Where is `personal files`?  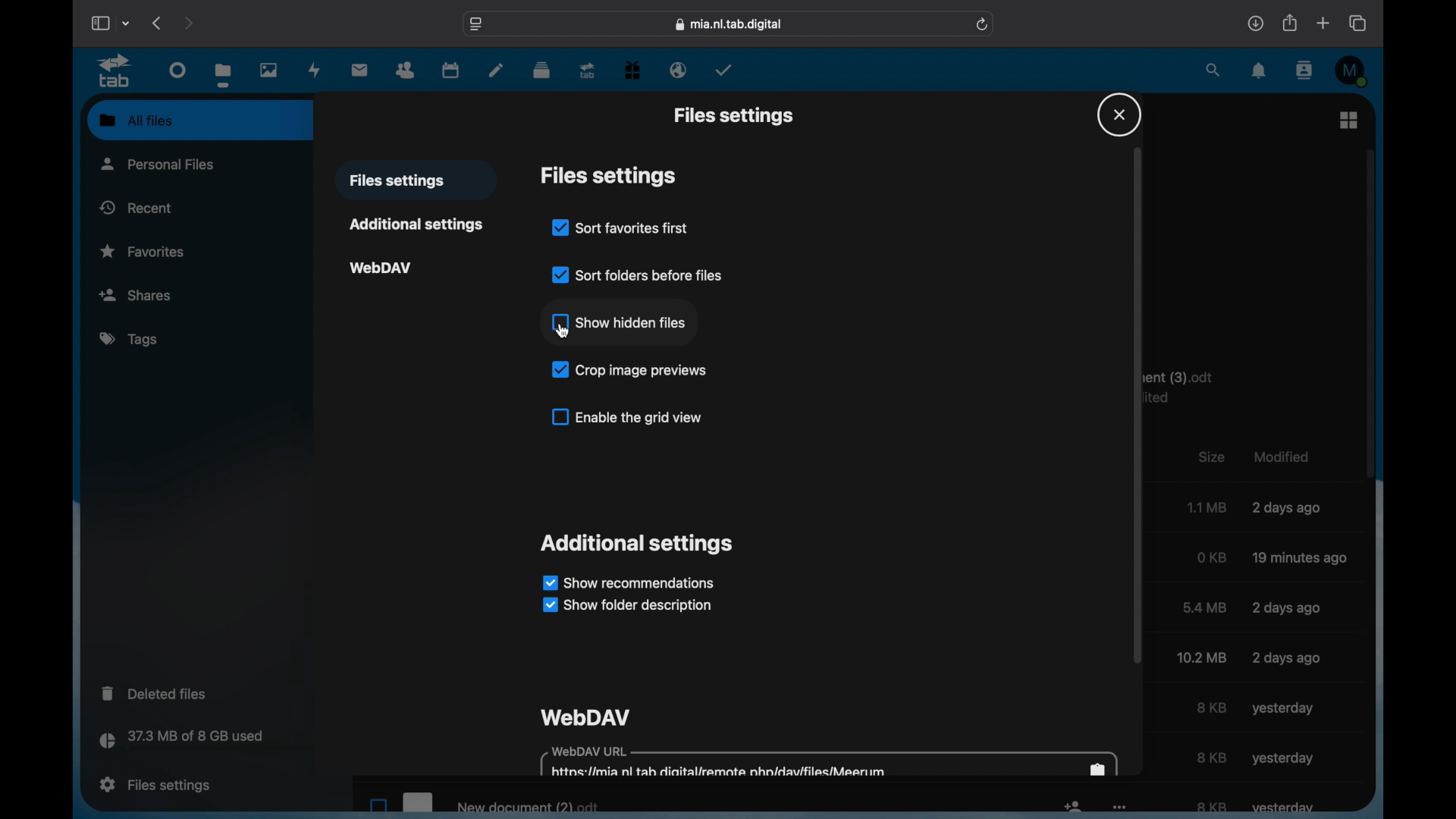 personal files is located at coordinates (158, 163).